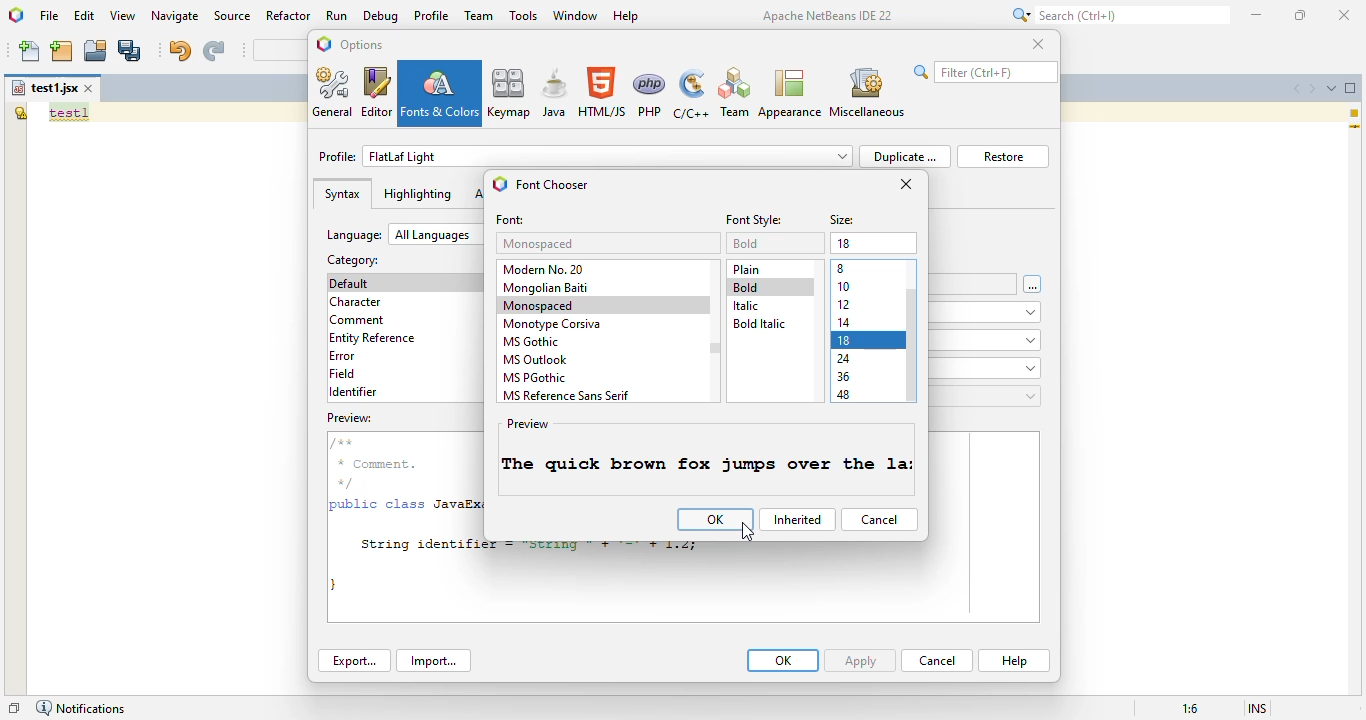 Image resolution: width=1366 pixels, height=720 pixels. Describe the element at coordinates (846, 323) in the screenshot. I see `14` at that location.